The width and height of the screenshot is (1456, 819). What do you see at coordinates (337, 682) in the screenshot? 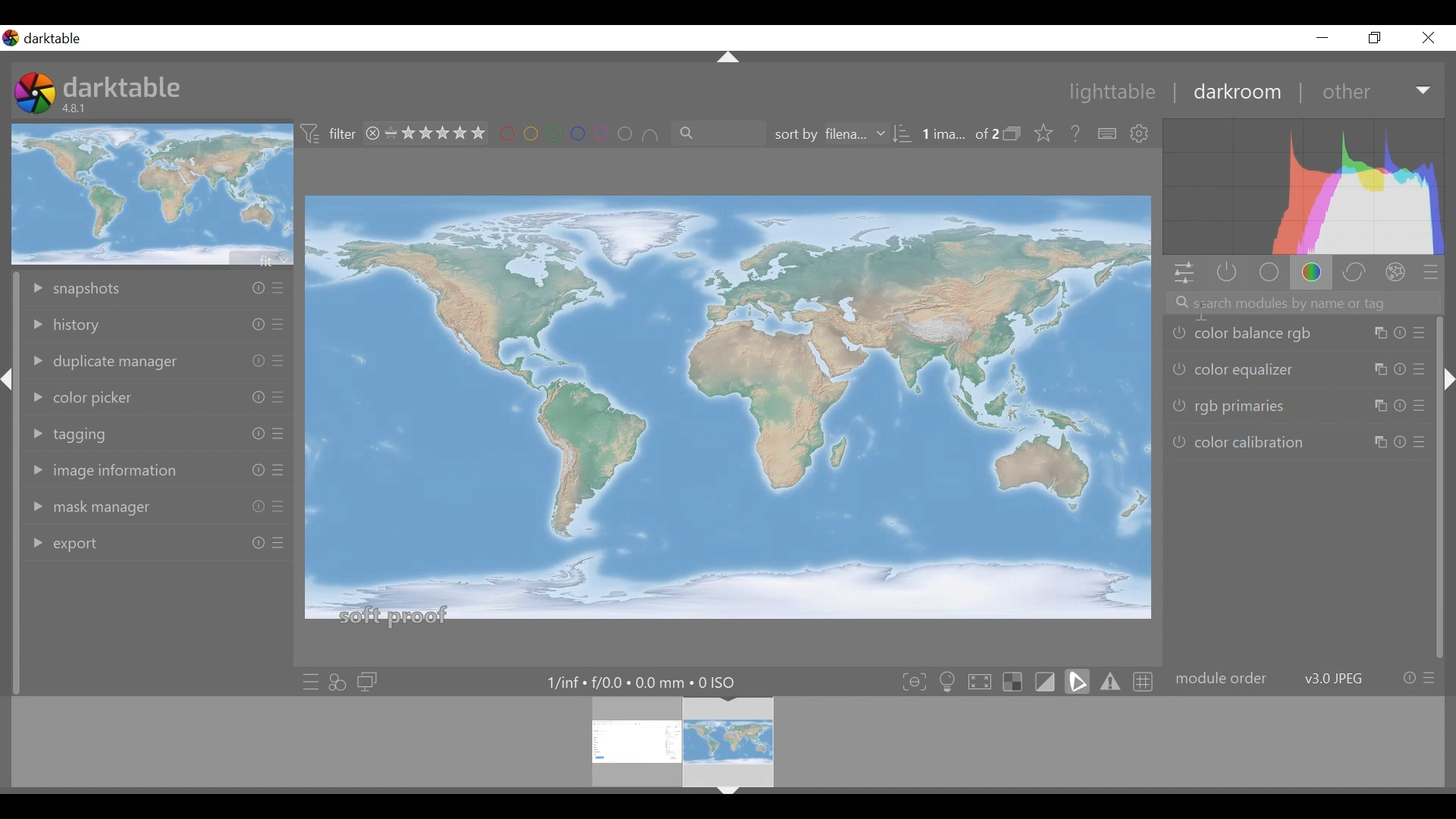
I see `quick access for appyling any of styles ` at bounding box center [337, 682].